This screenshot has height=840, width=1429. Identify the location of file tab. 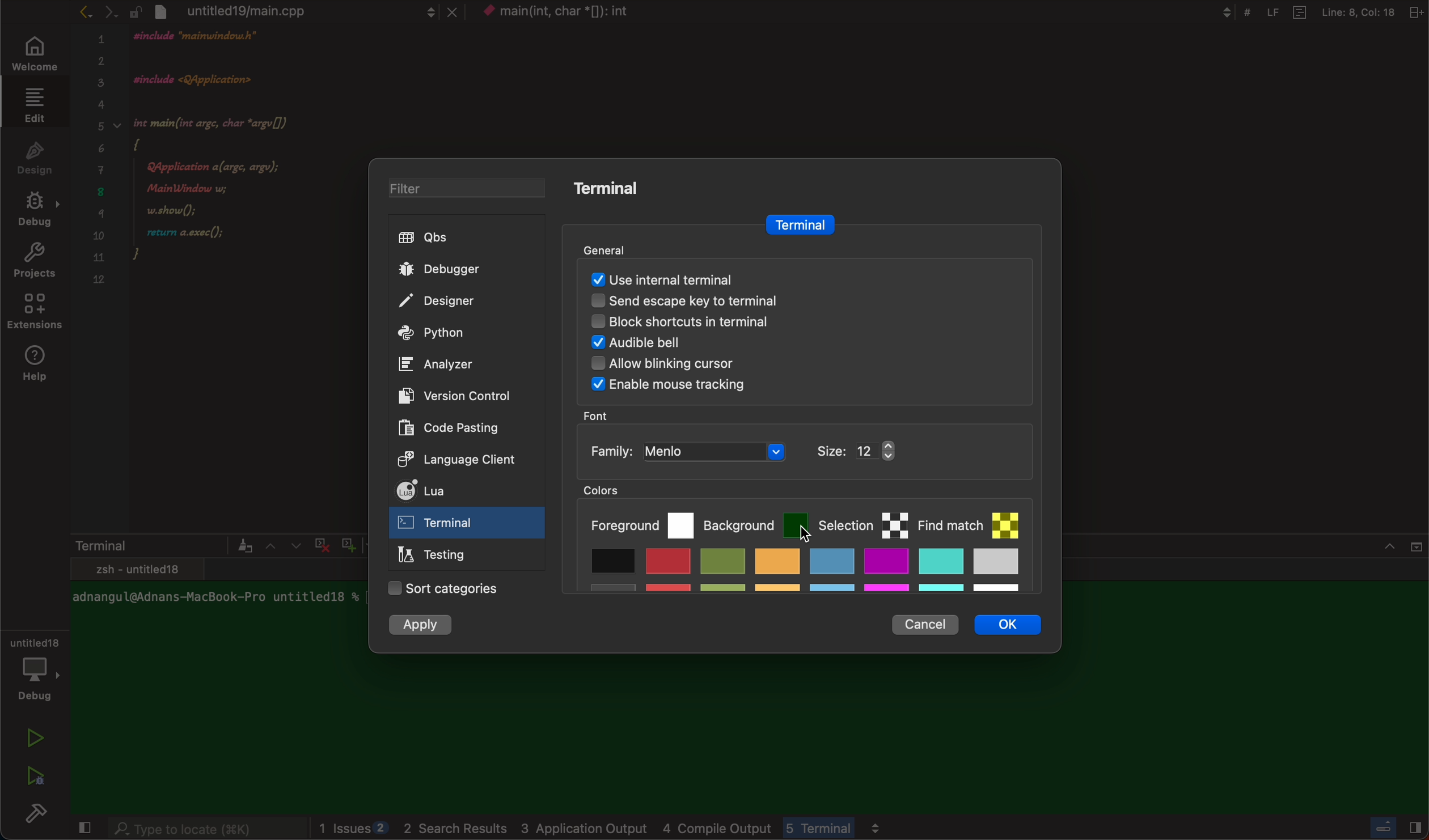
(294, 11).